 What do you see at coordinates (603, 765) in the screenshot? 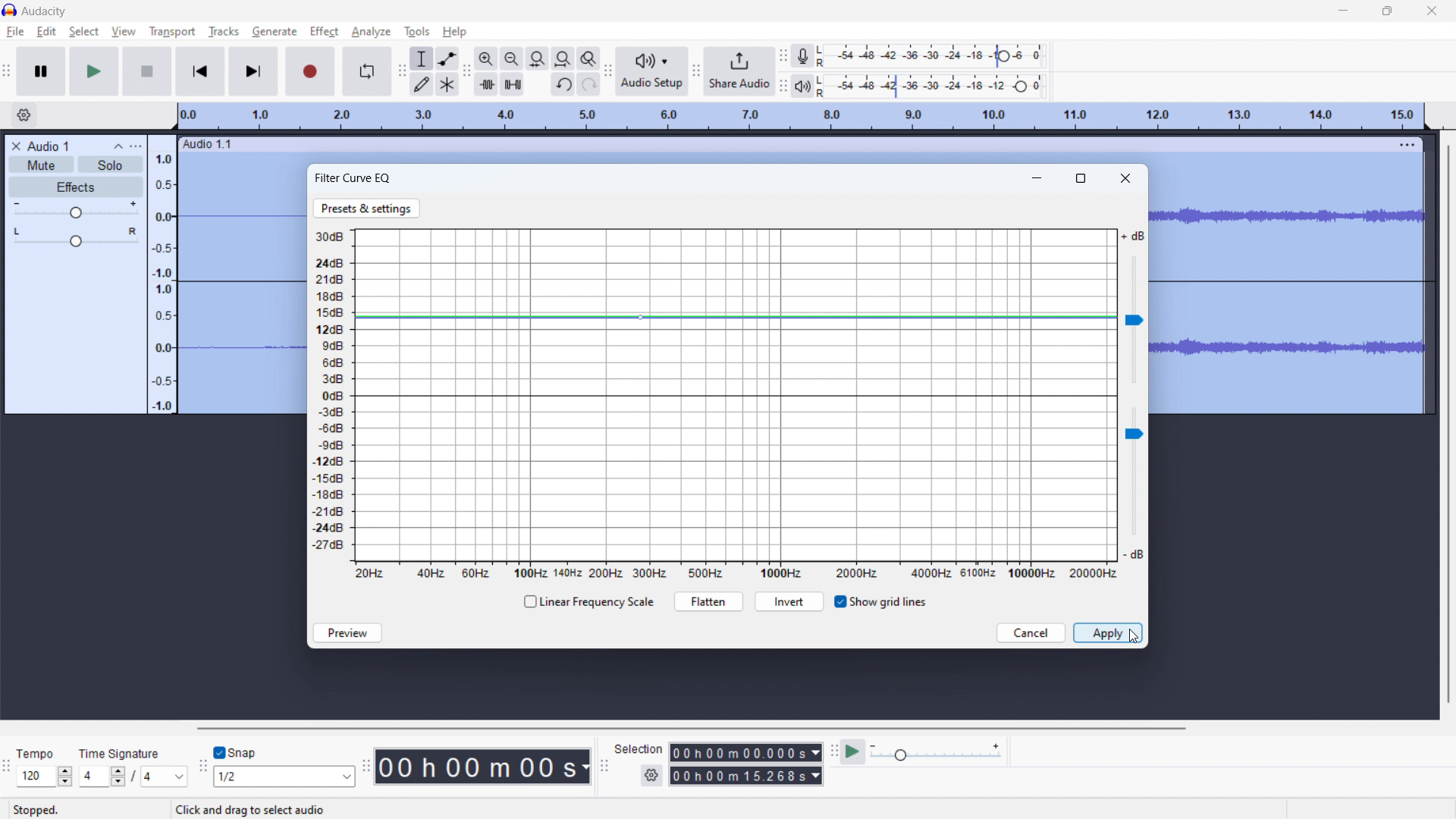
I see `selection toolbar` at bounding box center [603, 765].